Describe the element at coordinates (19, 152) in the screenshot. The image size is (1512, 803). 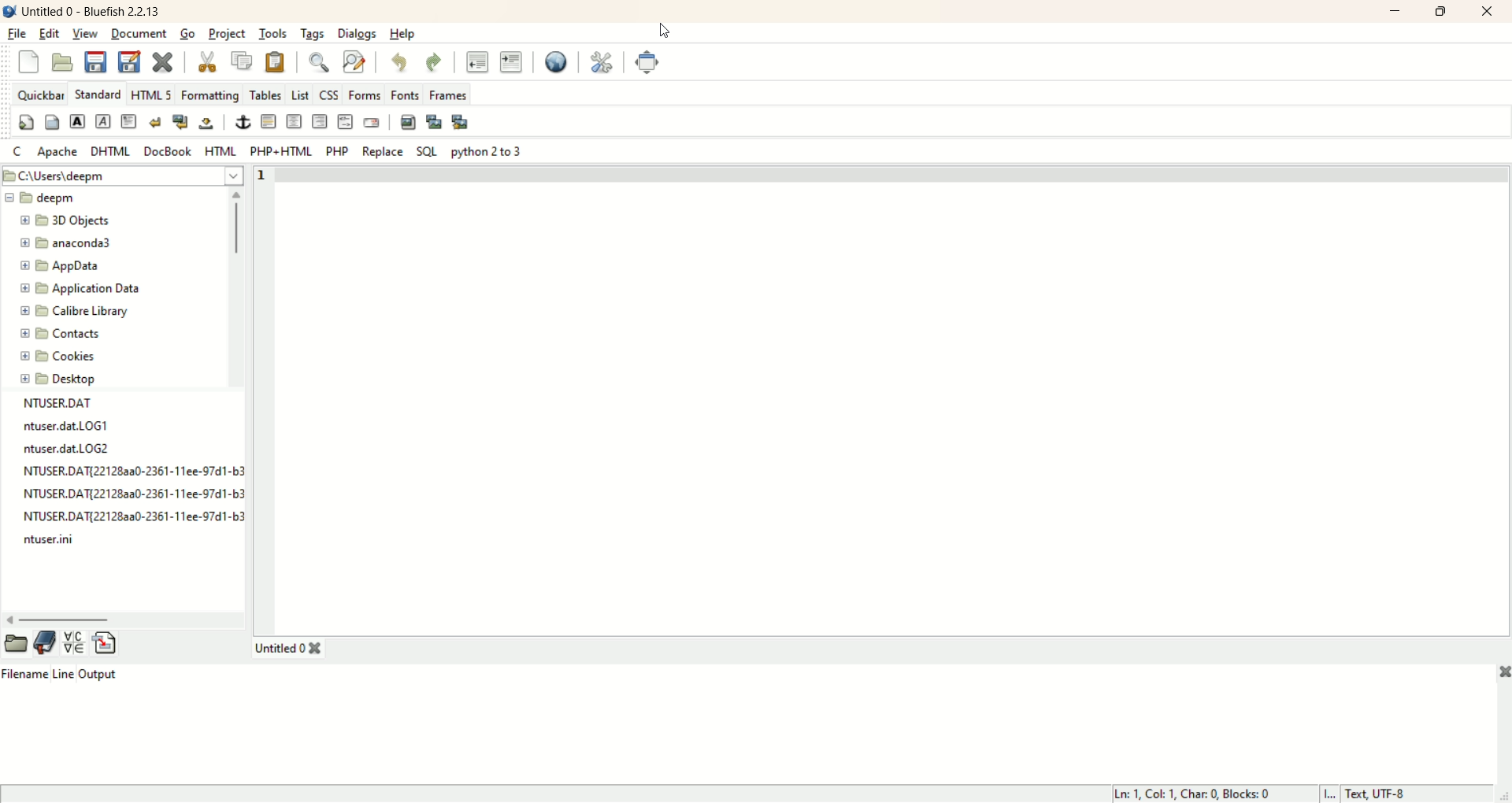
I see `C` at that location.